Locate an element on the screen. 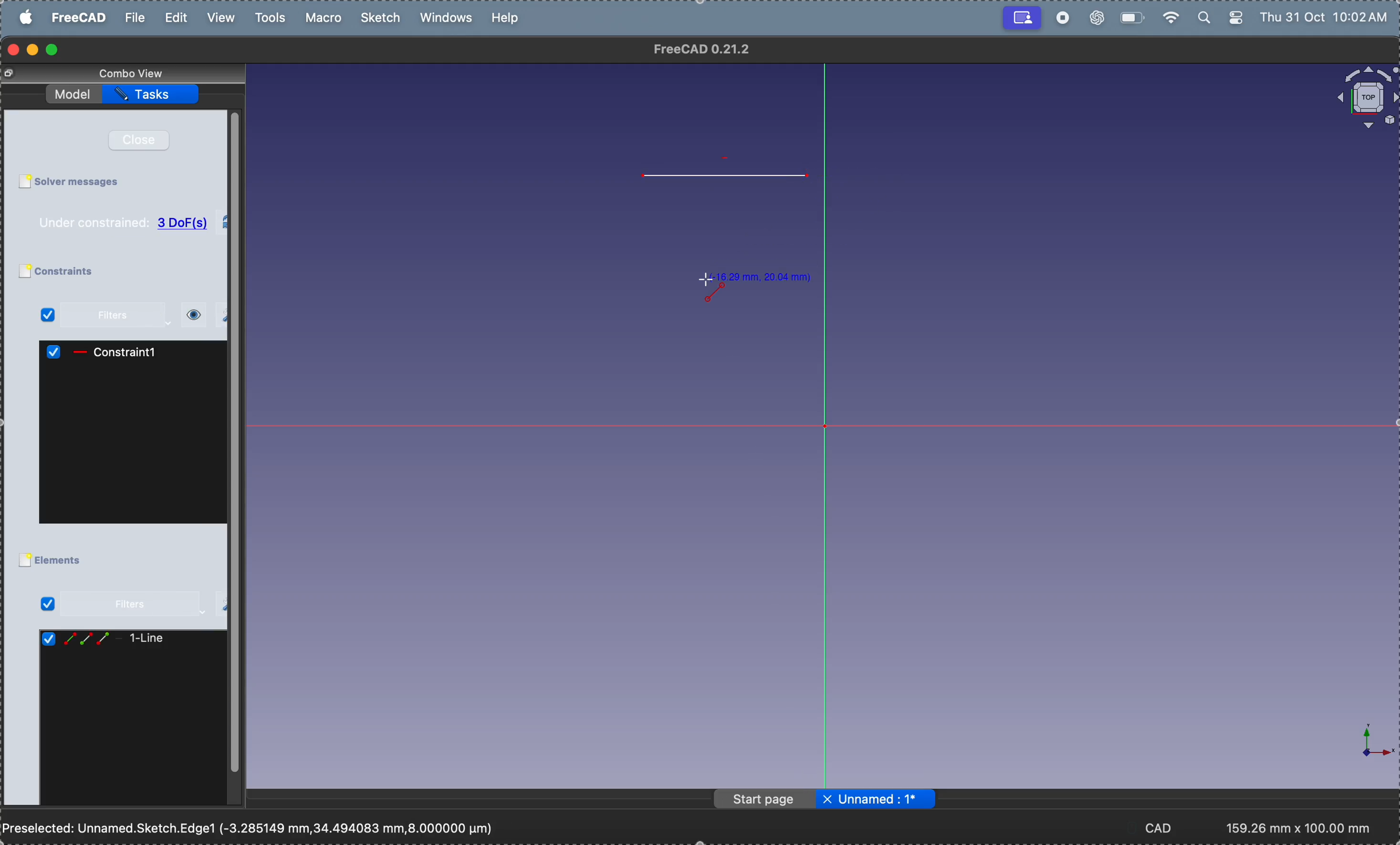 The height and width of the screenshot is (845, 1400). Checkbox is located at coordinates (23, 272).